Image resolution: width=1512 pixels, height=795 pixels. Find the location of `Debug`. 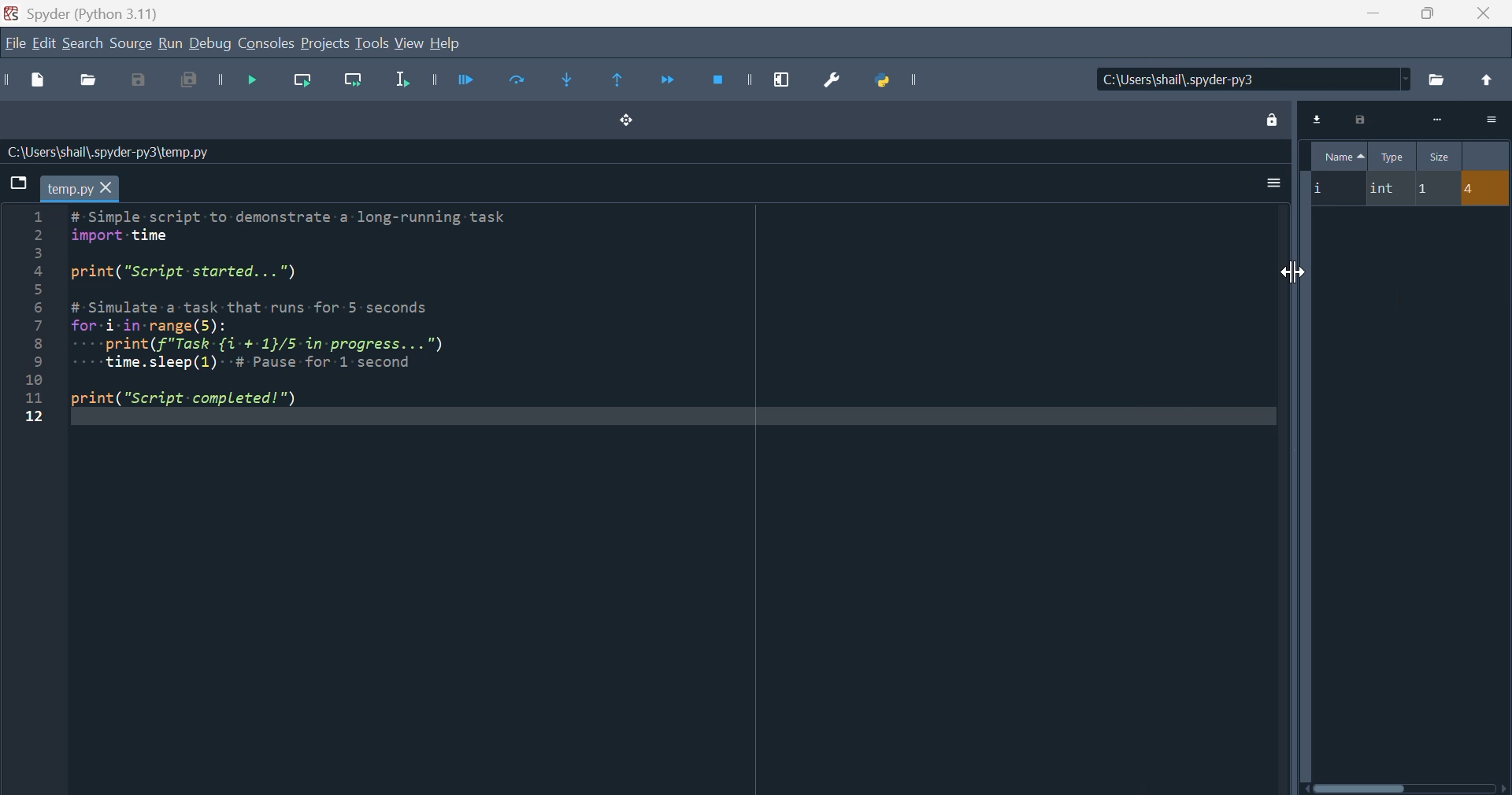

Debug is located at coordinates (210, 44).